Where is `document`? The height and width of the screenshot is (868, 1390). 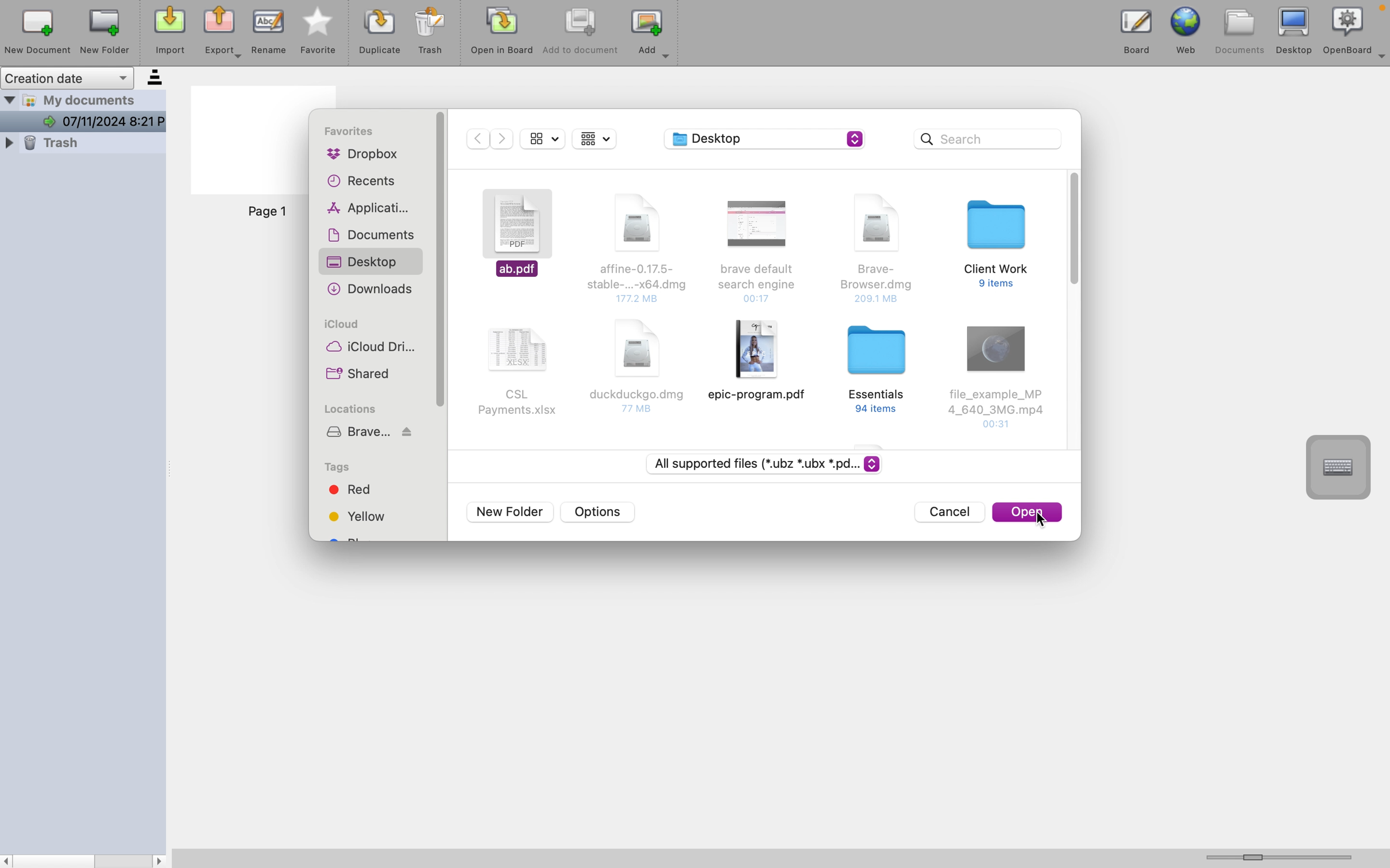
document is located at coordinates (875, 250).